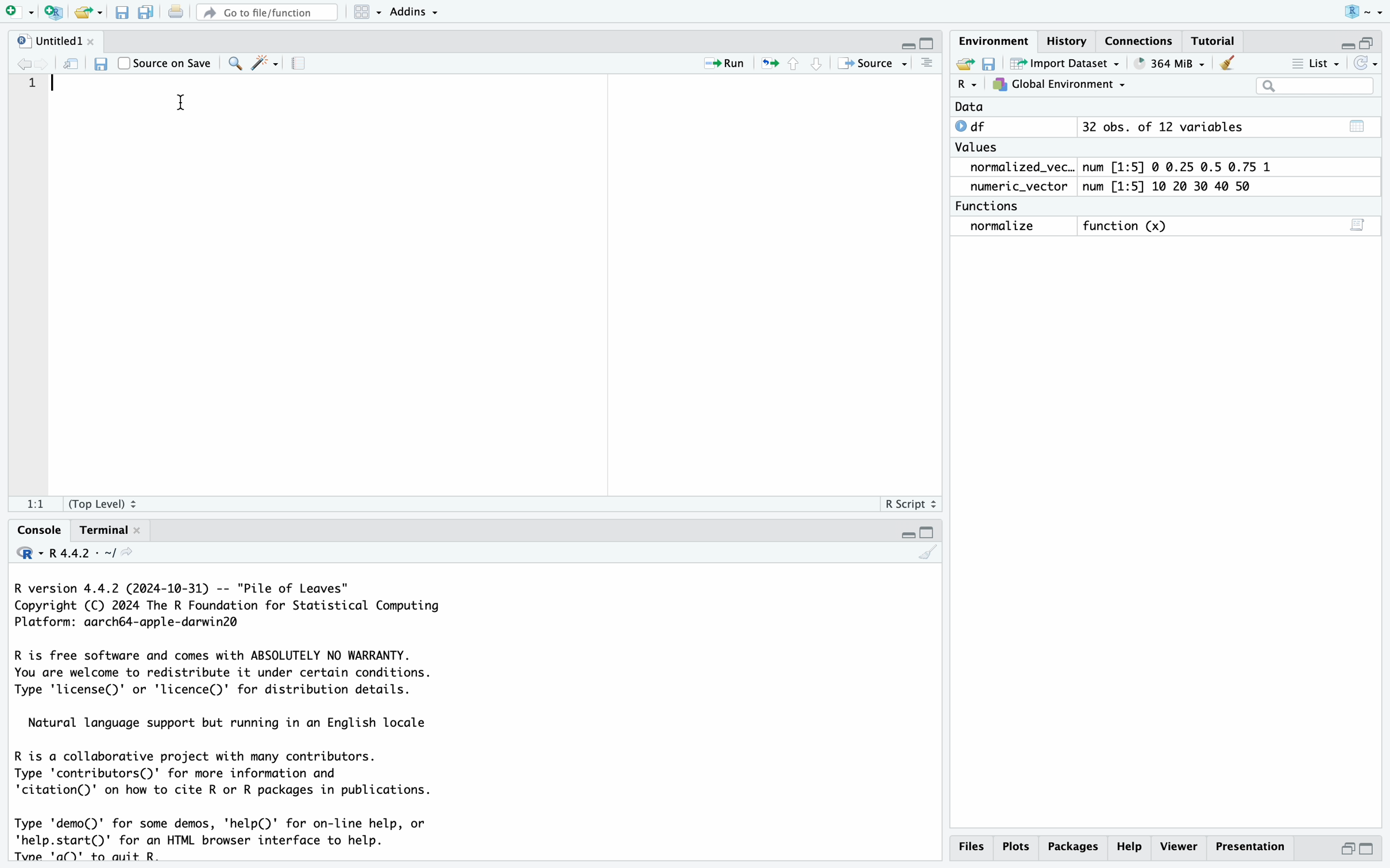  Describe the element at coordinates (975, 126) in the screenshot. I see `df` at that location.